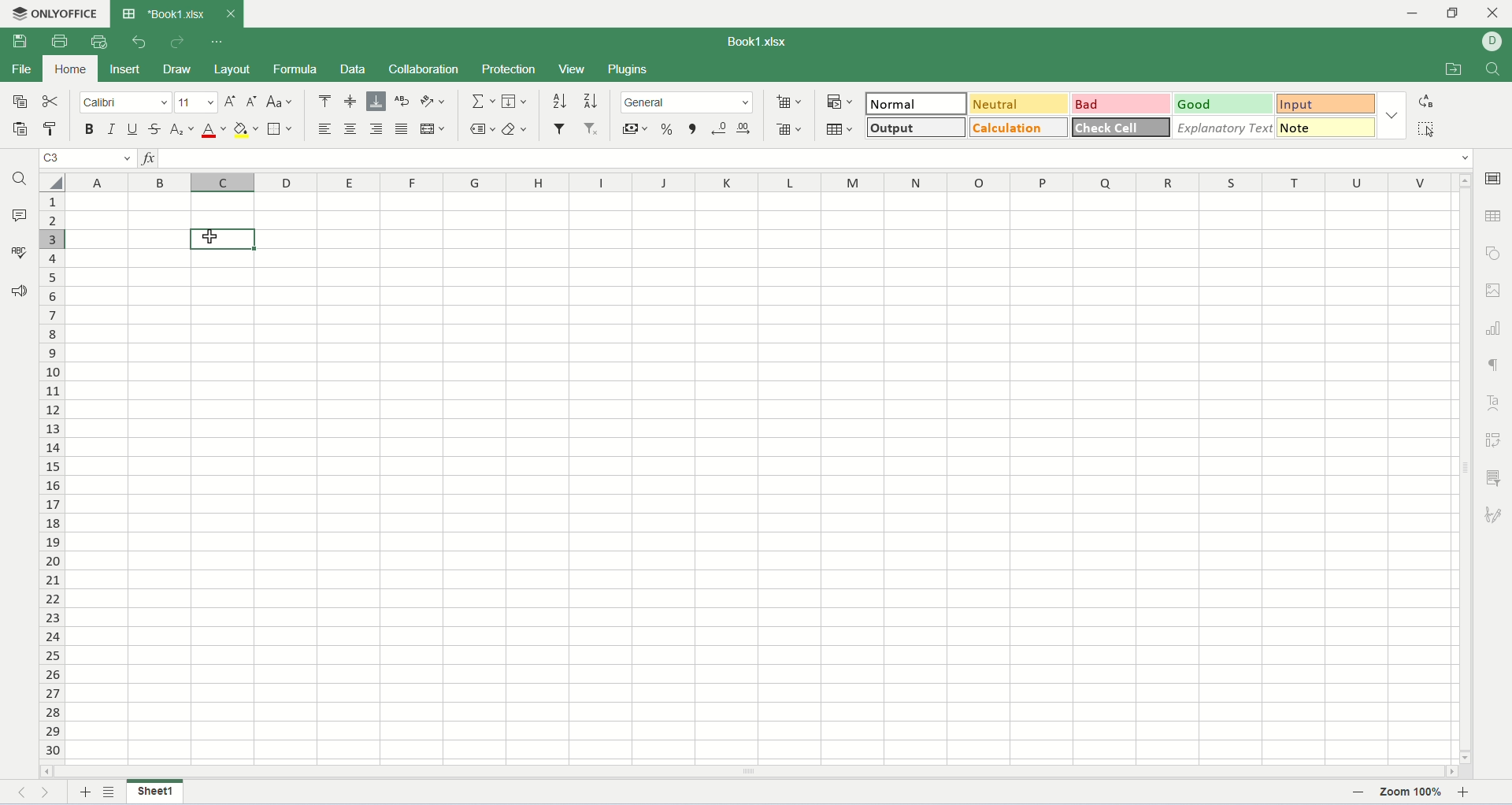  What do you see at coordinates (20, 69) in the screenshot?
I see `file` at bounding box center [20, 69].